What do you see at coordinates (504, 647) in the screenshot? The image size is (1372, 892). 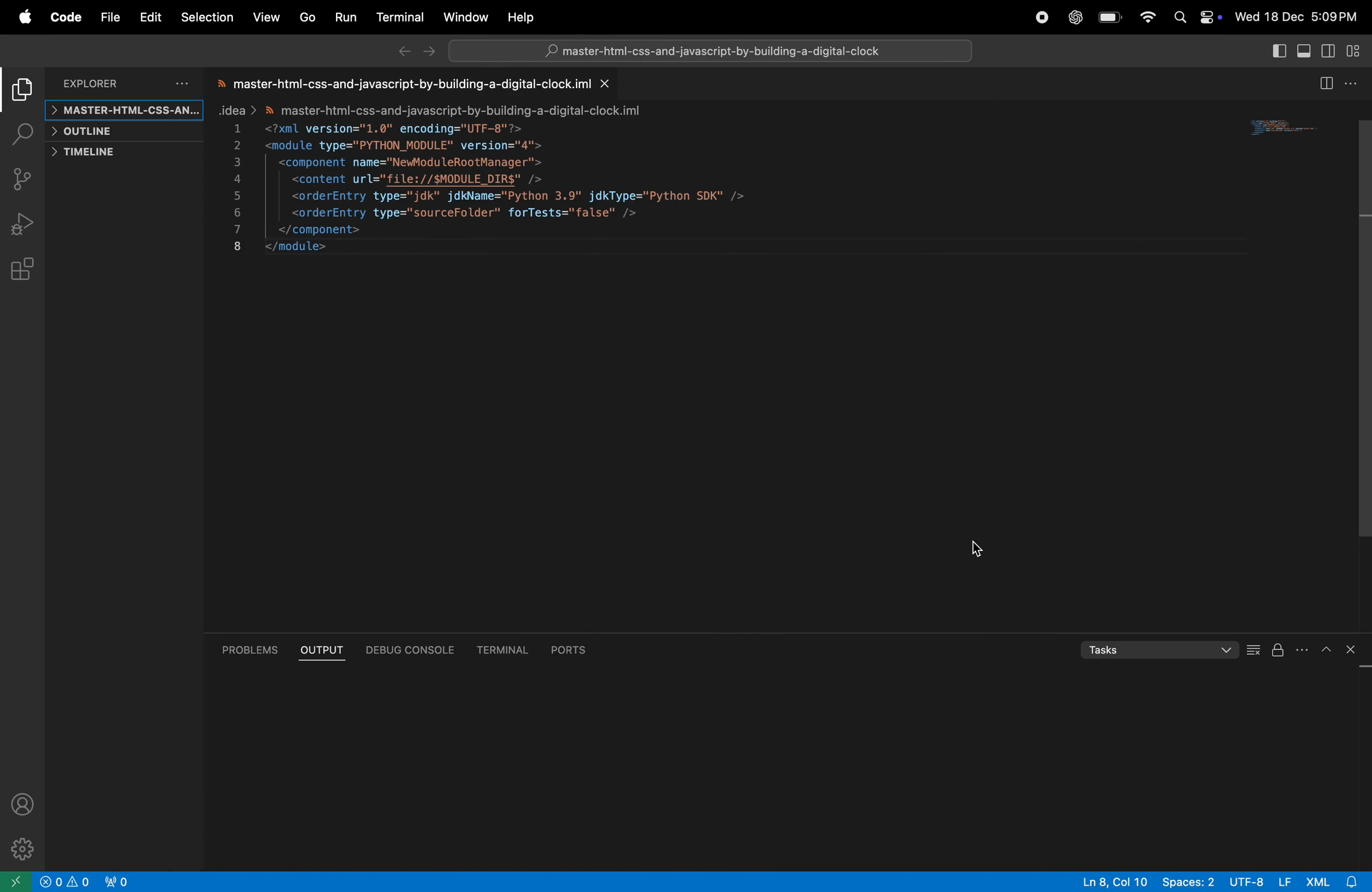 I see `terminal` at bounding box center [504, 647].